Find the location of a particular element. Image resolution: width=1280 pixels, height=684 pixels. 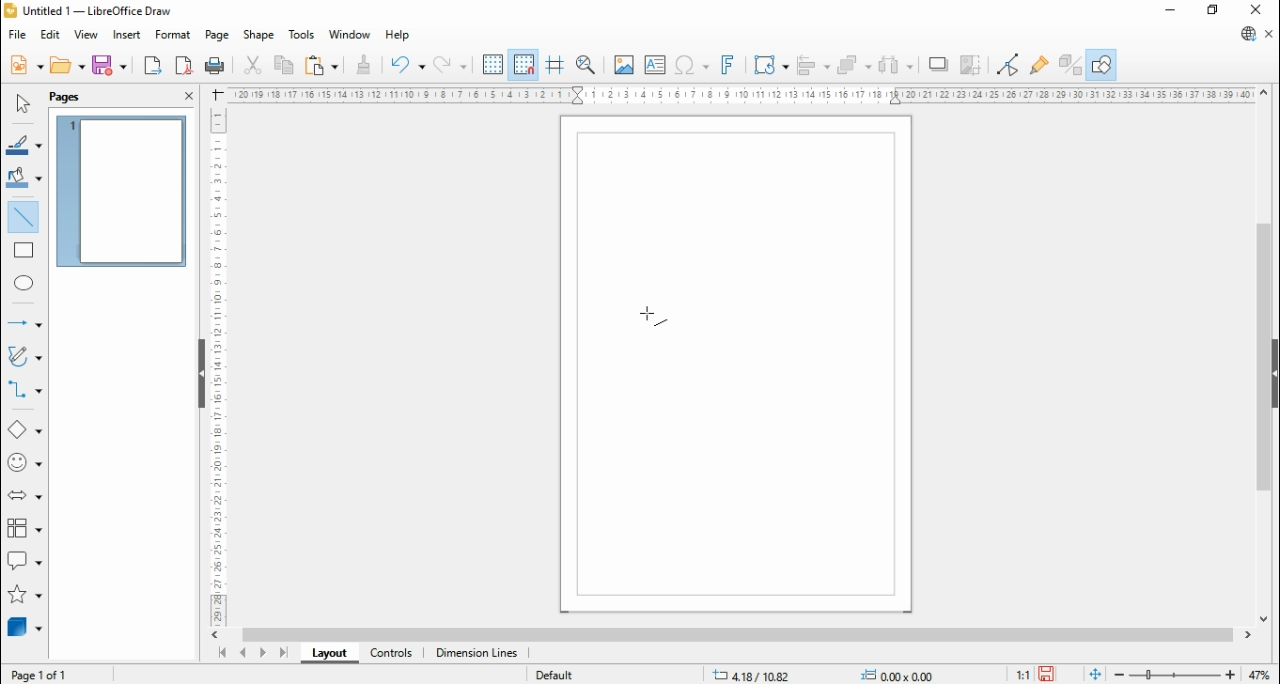

scroll bar is located at coordinates (737, 635).